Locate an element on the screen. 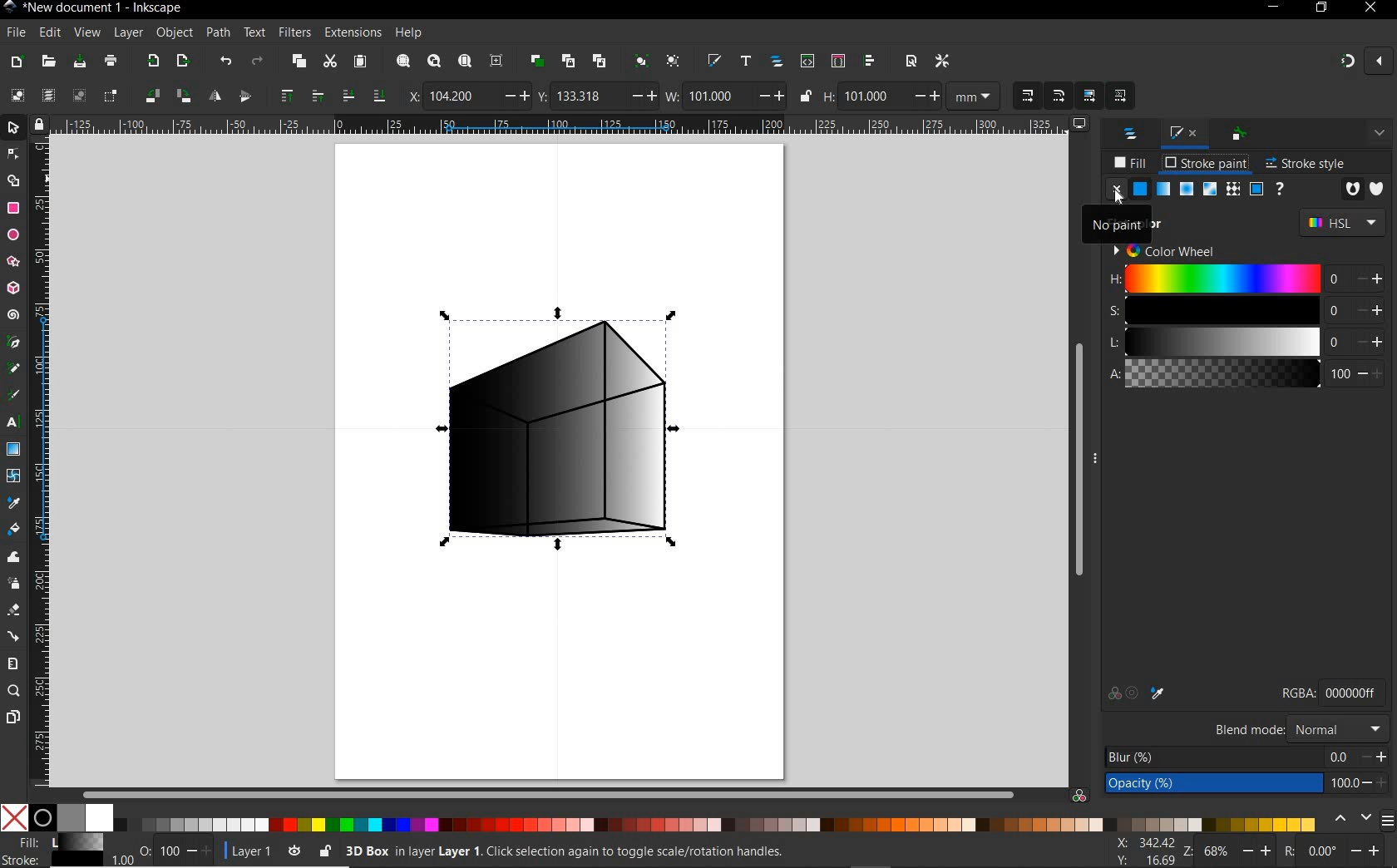 The height and width of the screenshot is (868, 1397). COPY is located at coordinates (299, 62).